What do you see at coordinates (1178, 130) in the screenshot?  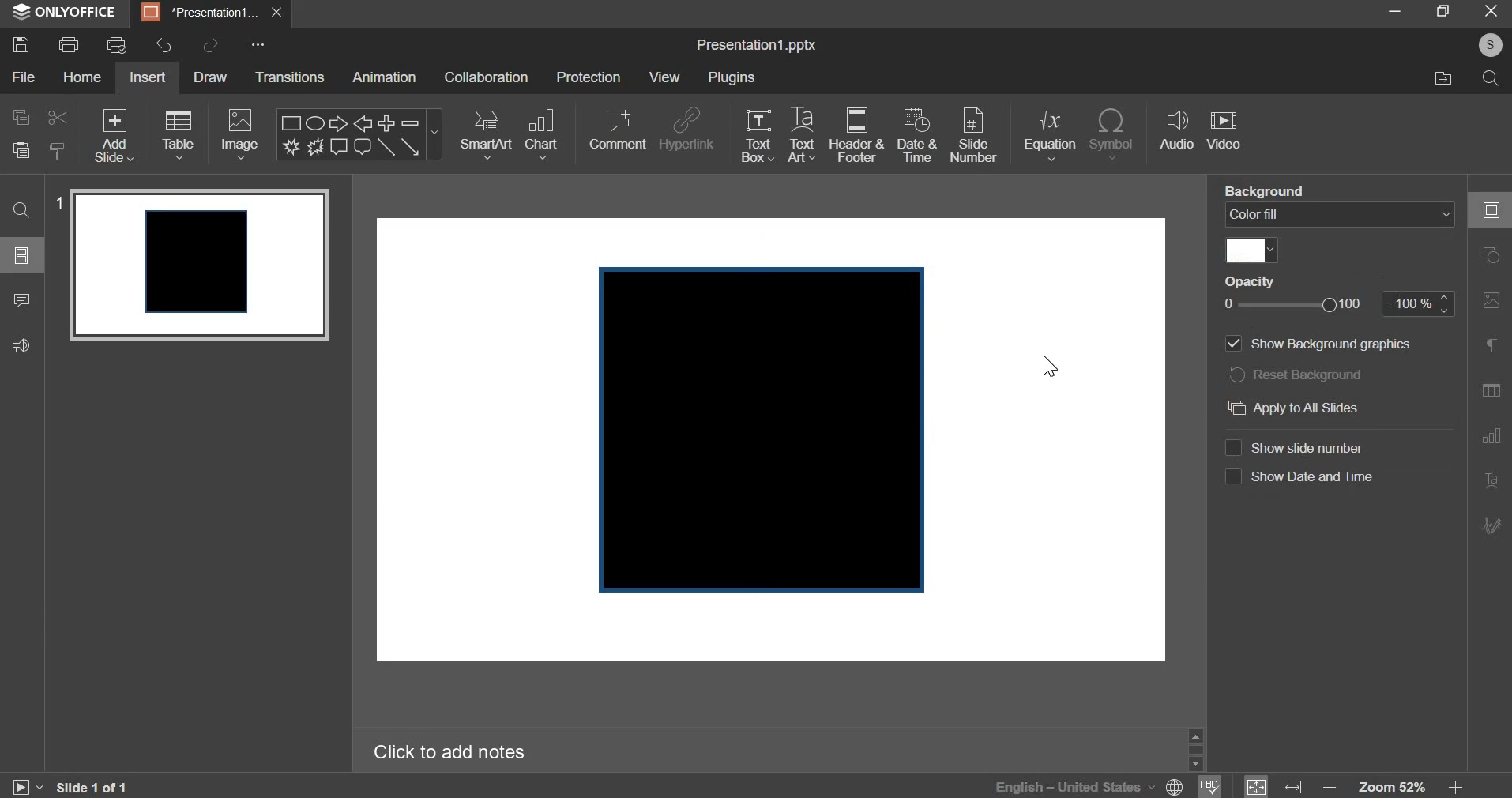 I see `audio` at bounding box center [1178, 130].